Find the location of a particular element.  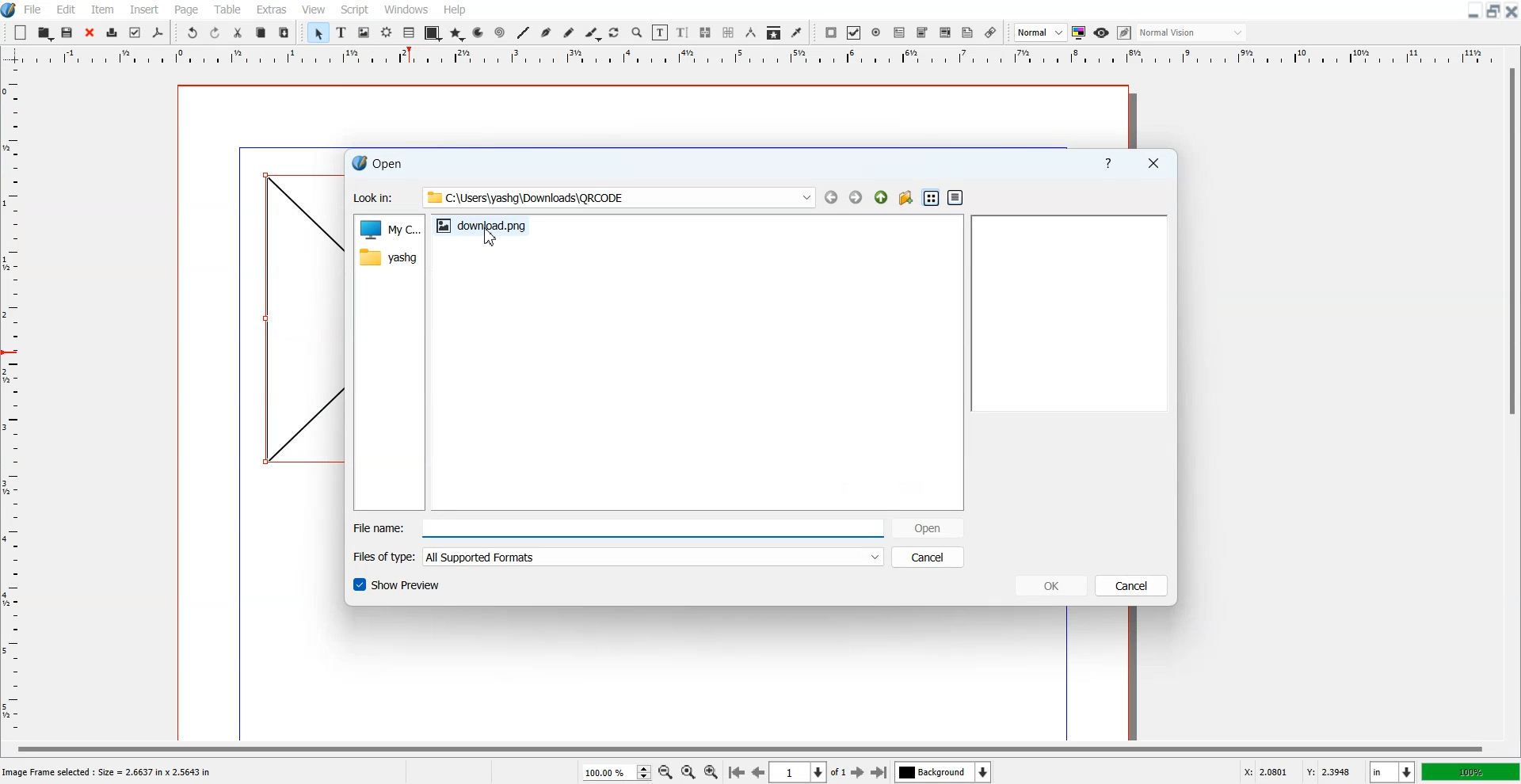

Select the current layer is located at coordinates (943, 771).